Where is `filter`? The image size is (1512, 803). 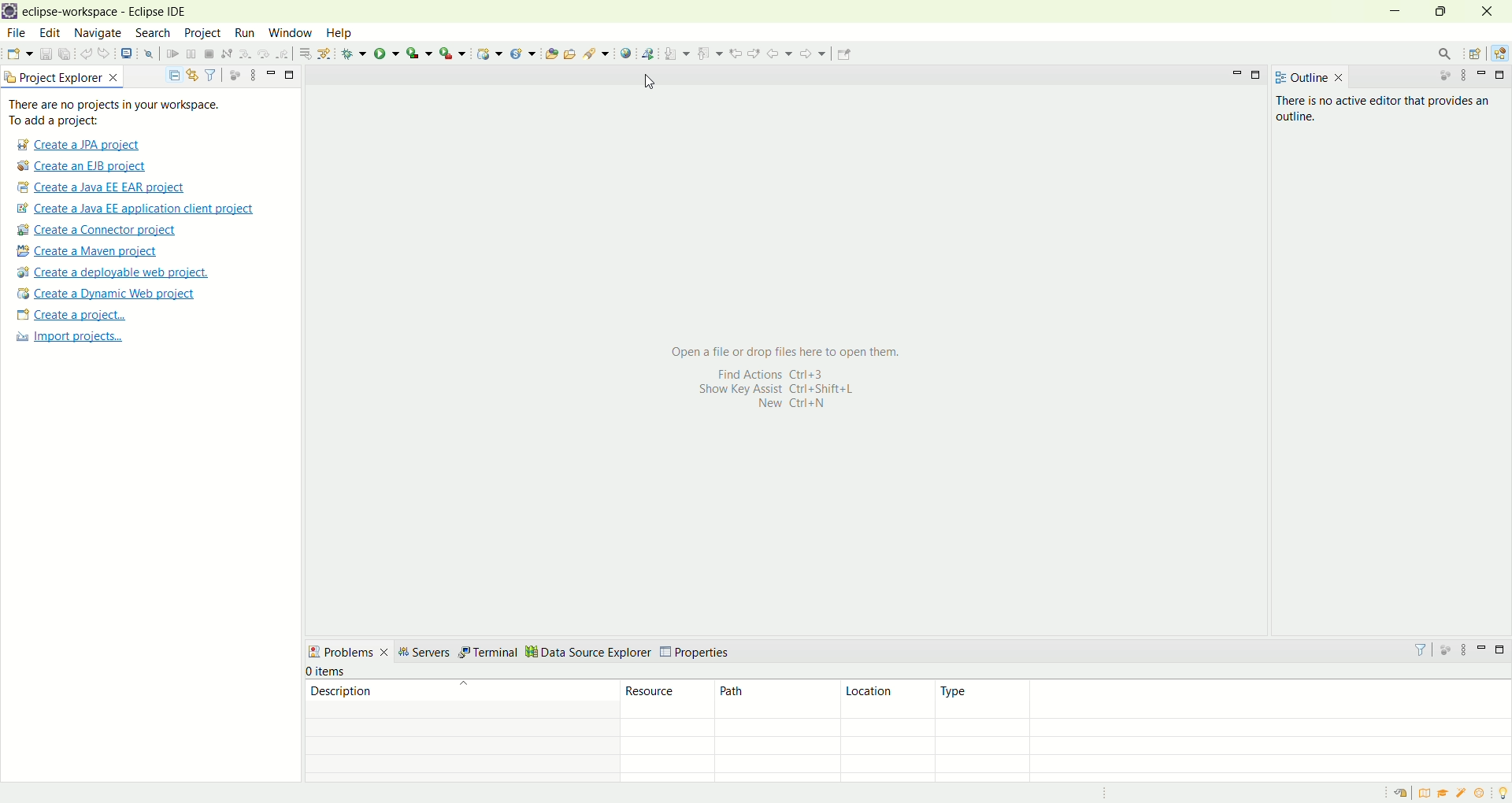
filter is located at coordinates (1414, 649).